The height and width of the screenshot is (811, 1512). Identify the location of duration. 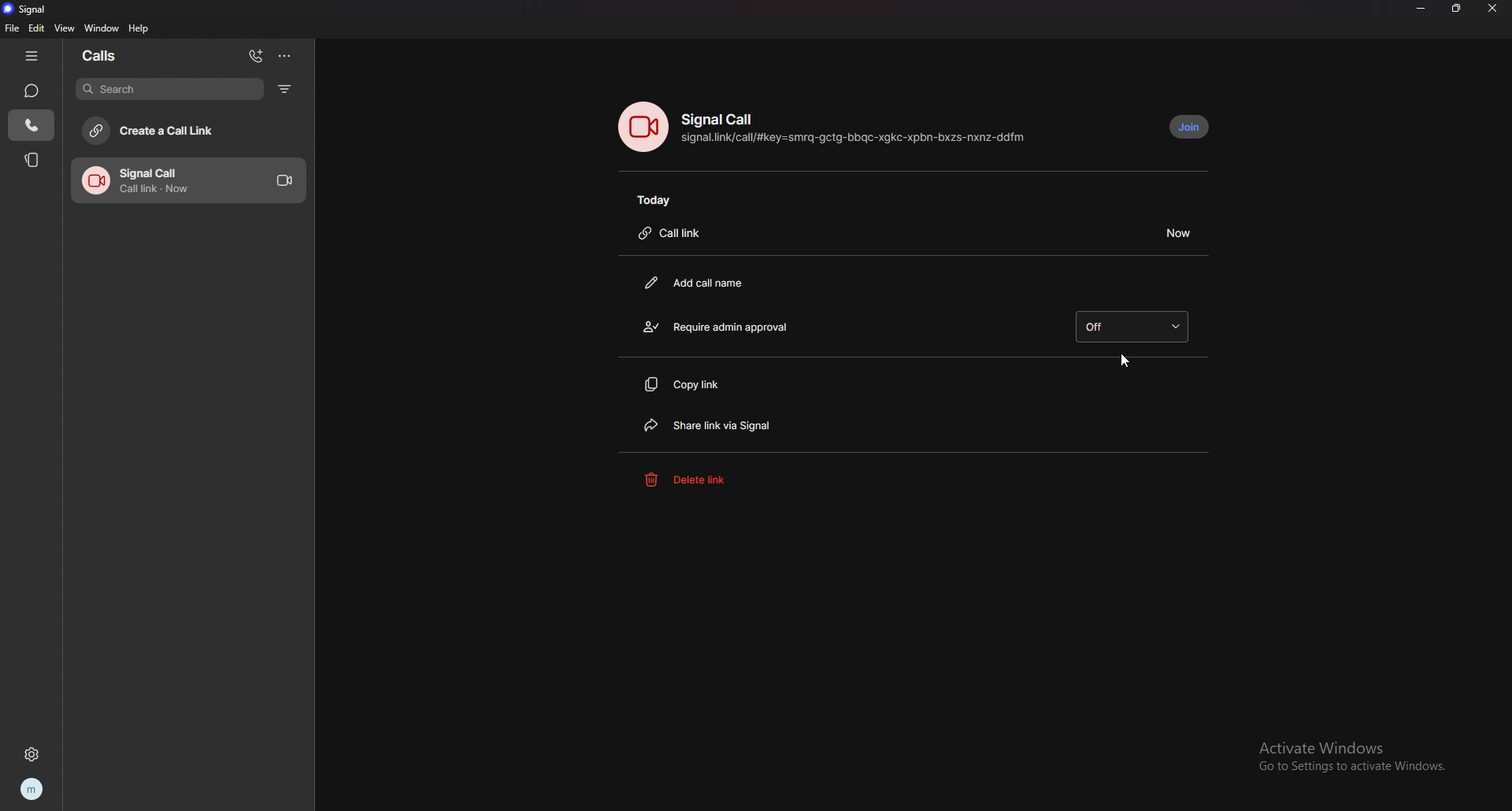
(1177, 232).